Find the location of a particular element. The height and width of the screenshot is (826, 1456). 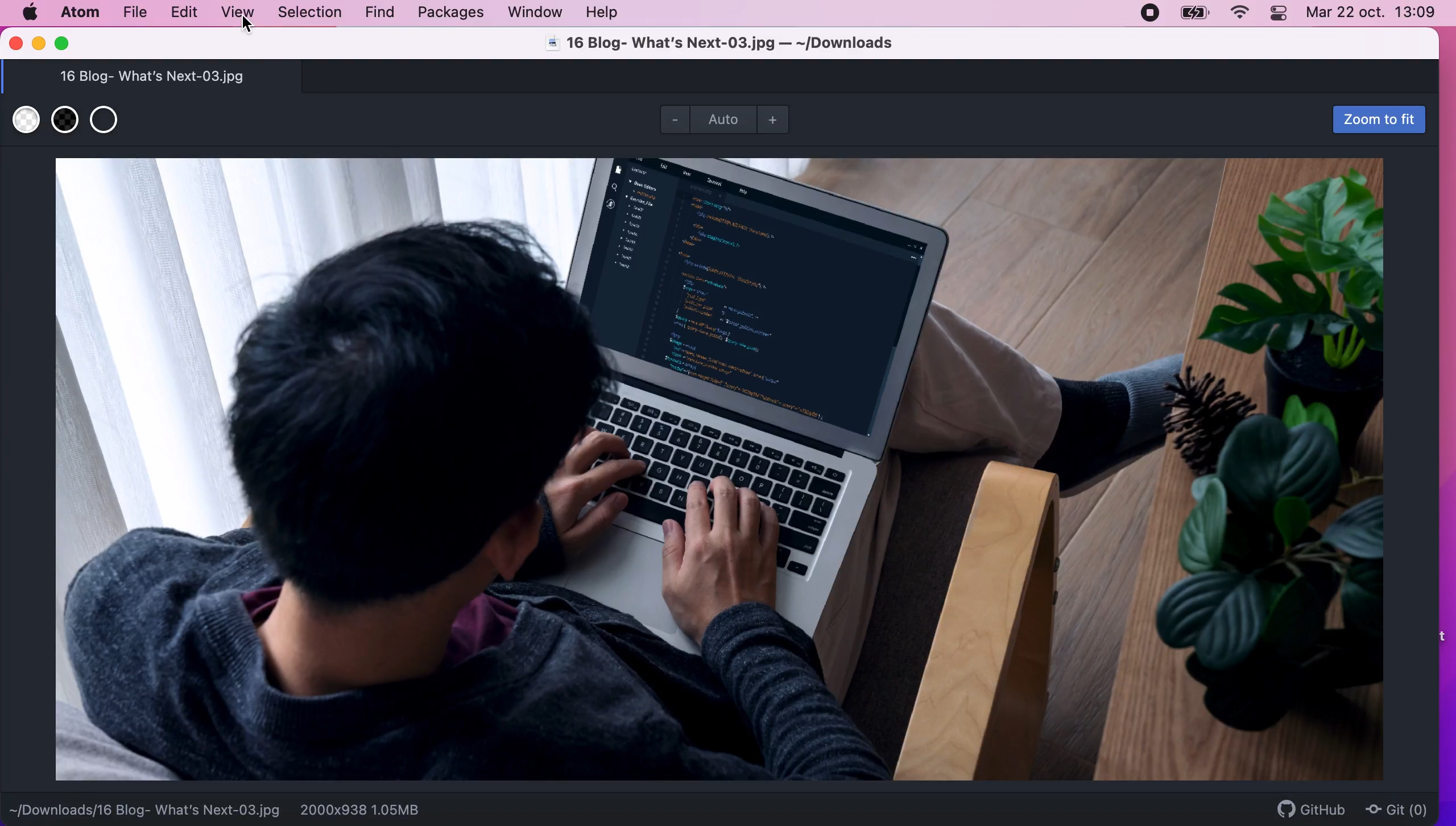

use transparent background is located at coordinates (107, 122).